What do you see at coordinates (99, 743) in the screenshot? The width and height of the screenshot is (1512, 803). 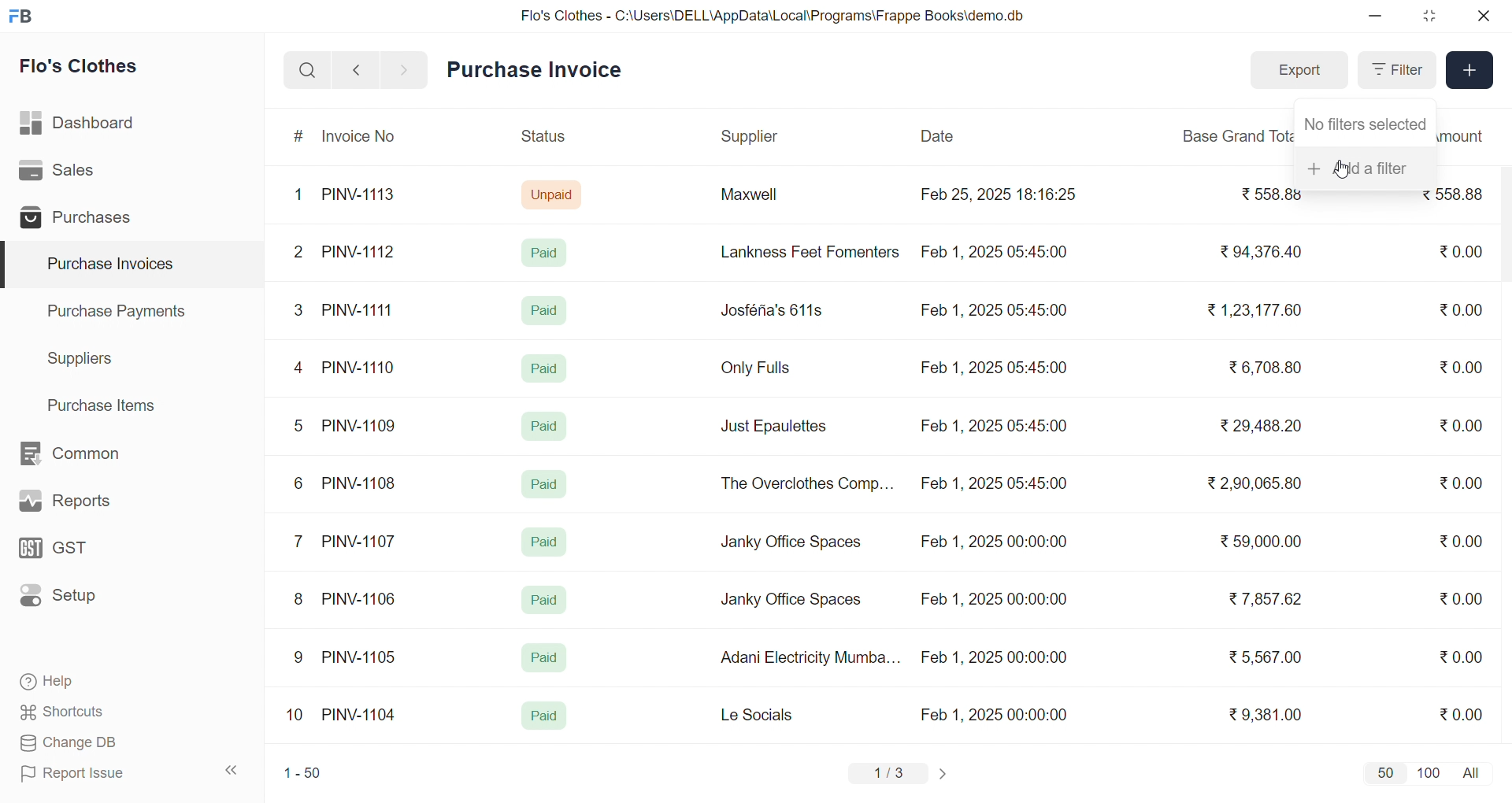 I see `Change DB` at bounding box center [99, 743].